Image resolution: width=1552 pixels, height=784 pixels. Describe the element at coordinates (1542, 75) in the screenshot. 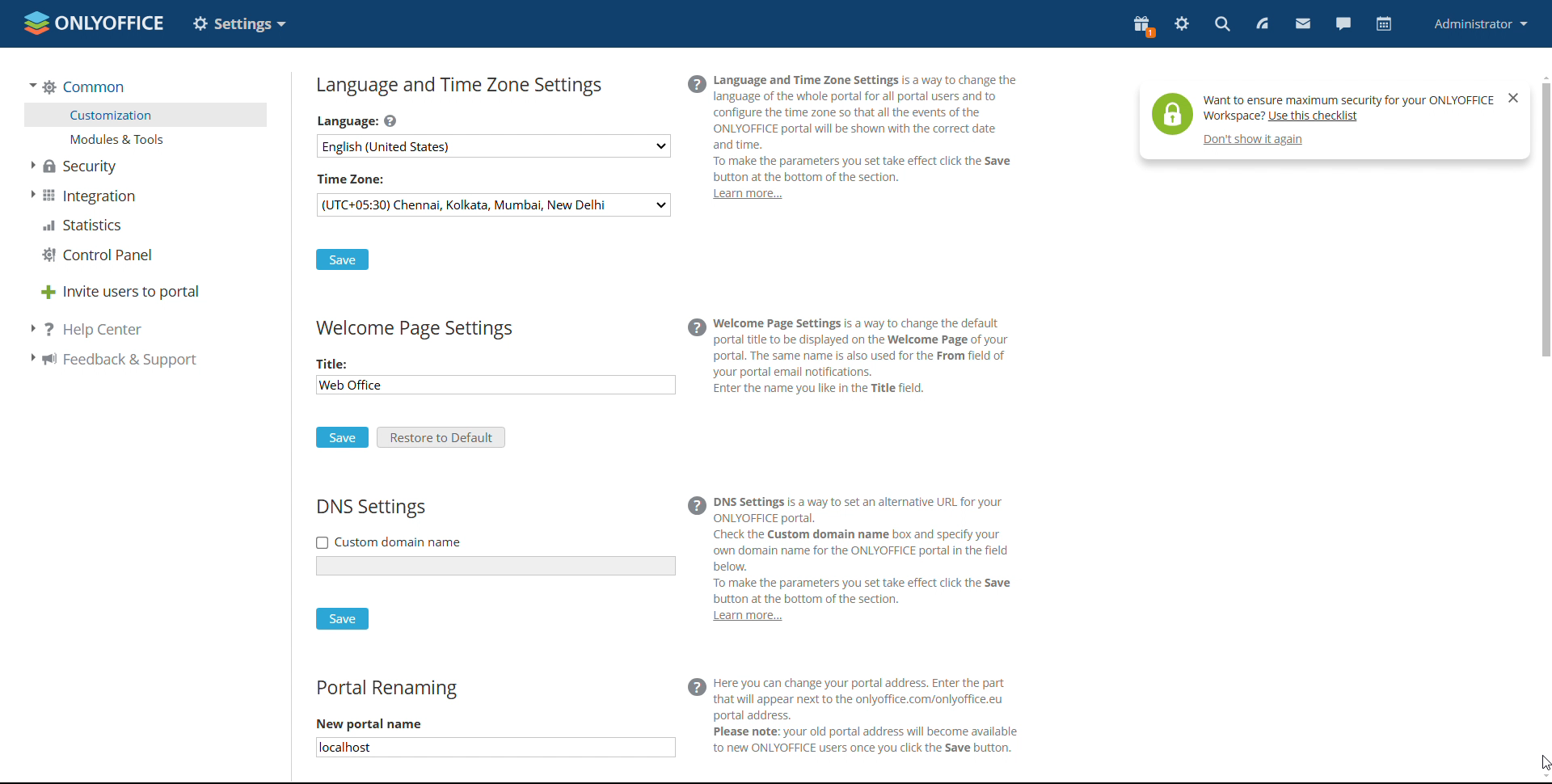

I see `scroll up` at that location.